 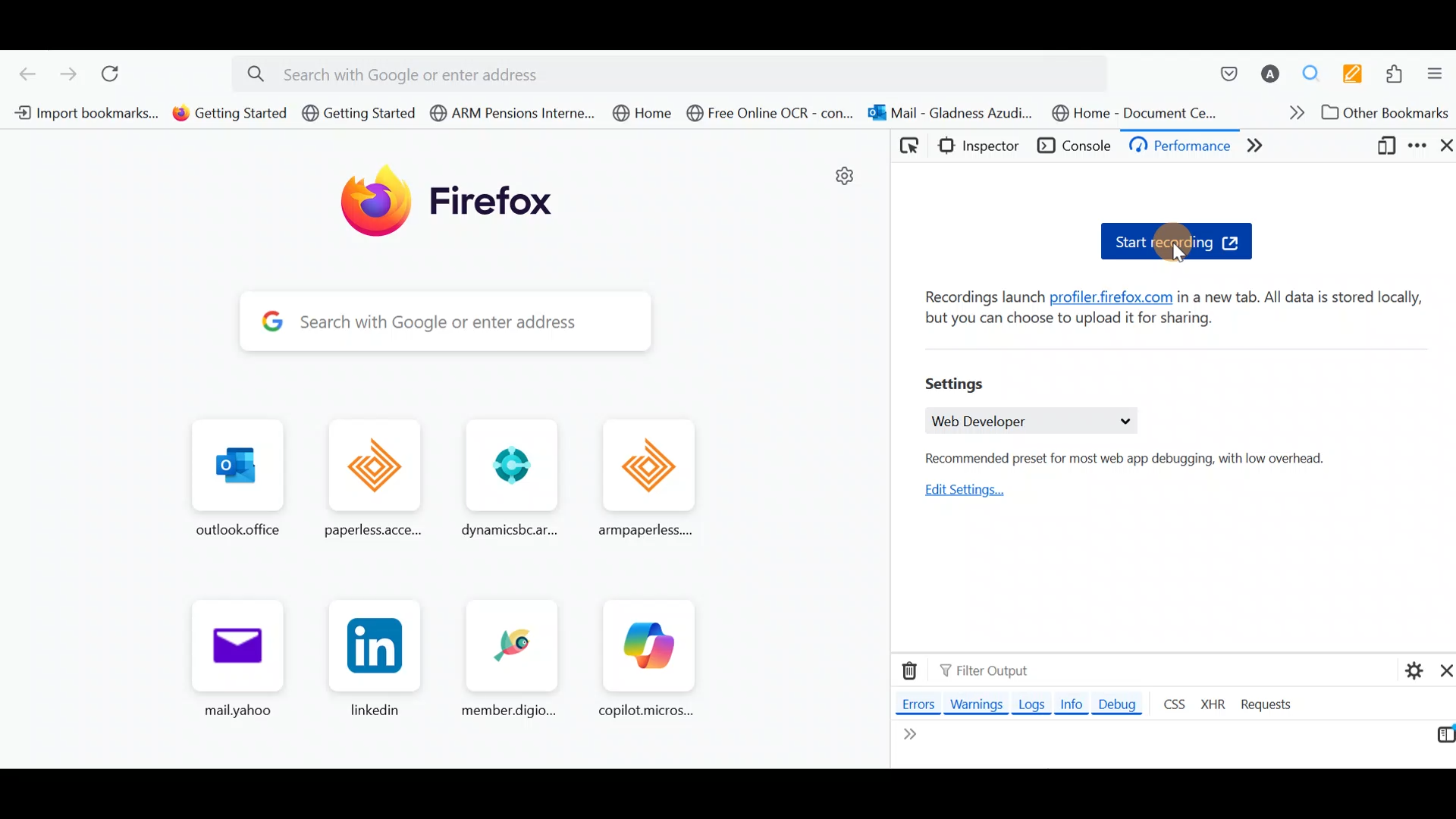 What do you see at coordinates (1076, 146) in the screenshot?
I see `Console` at bounding box center [1076, 146].